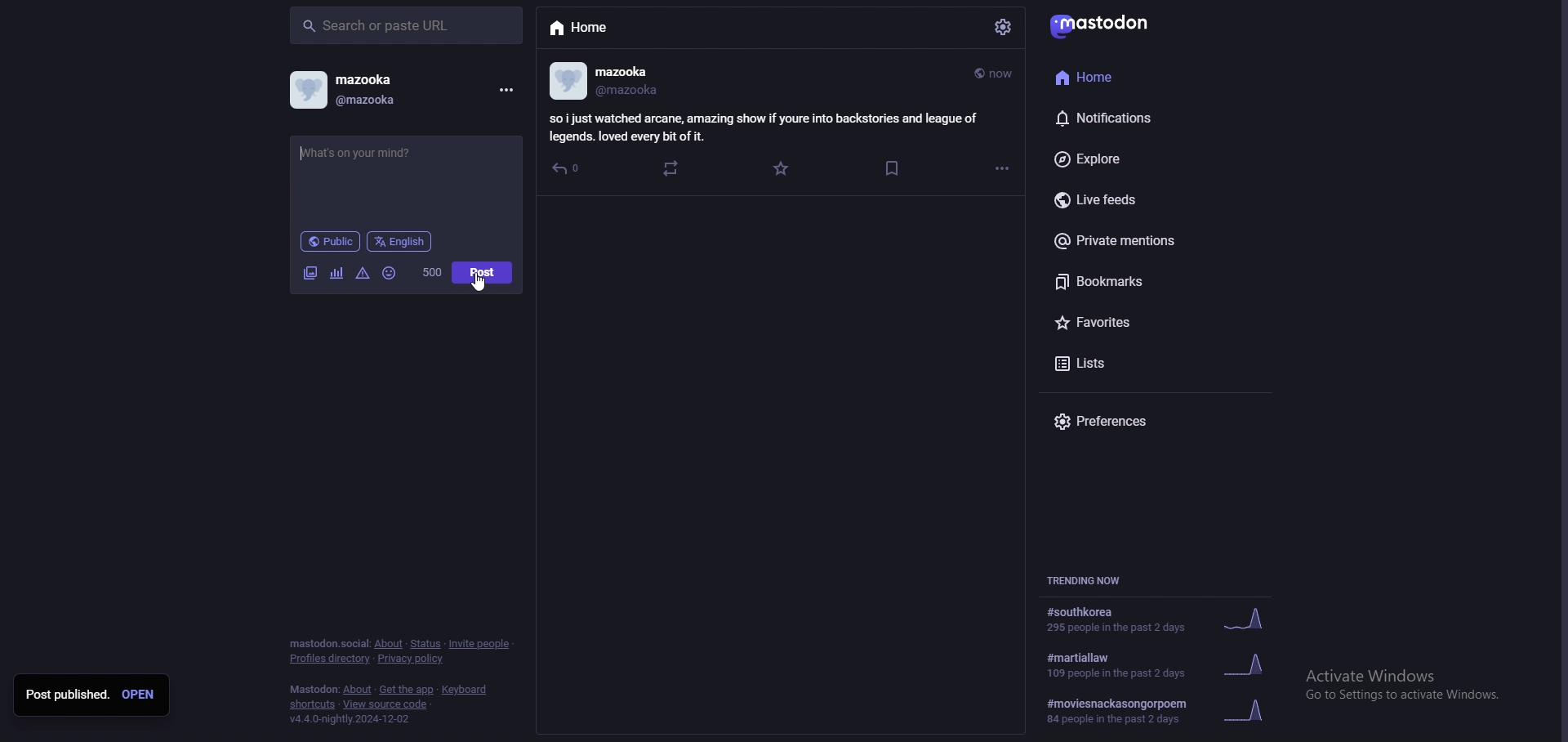  Describe the element at coordinates (1107, 24) in the screenshot. I see `mastodon` at that location.